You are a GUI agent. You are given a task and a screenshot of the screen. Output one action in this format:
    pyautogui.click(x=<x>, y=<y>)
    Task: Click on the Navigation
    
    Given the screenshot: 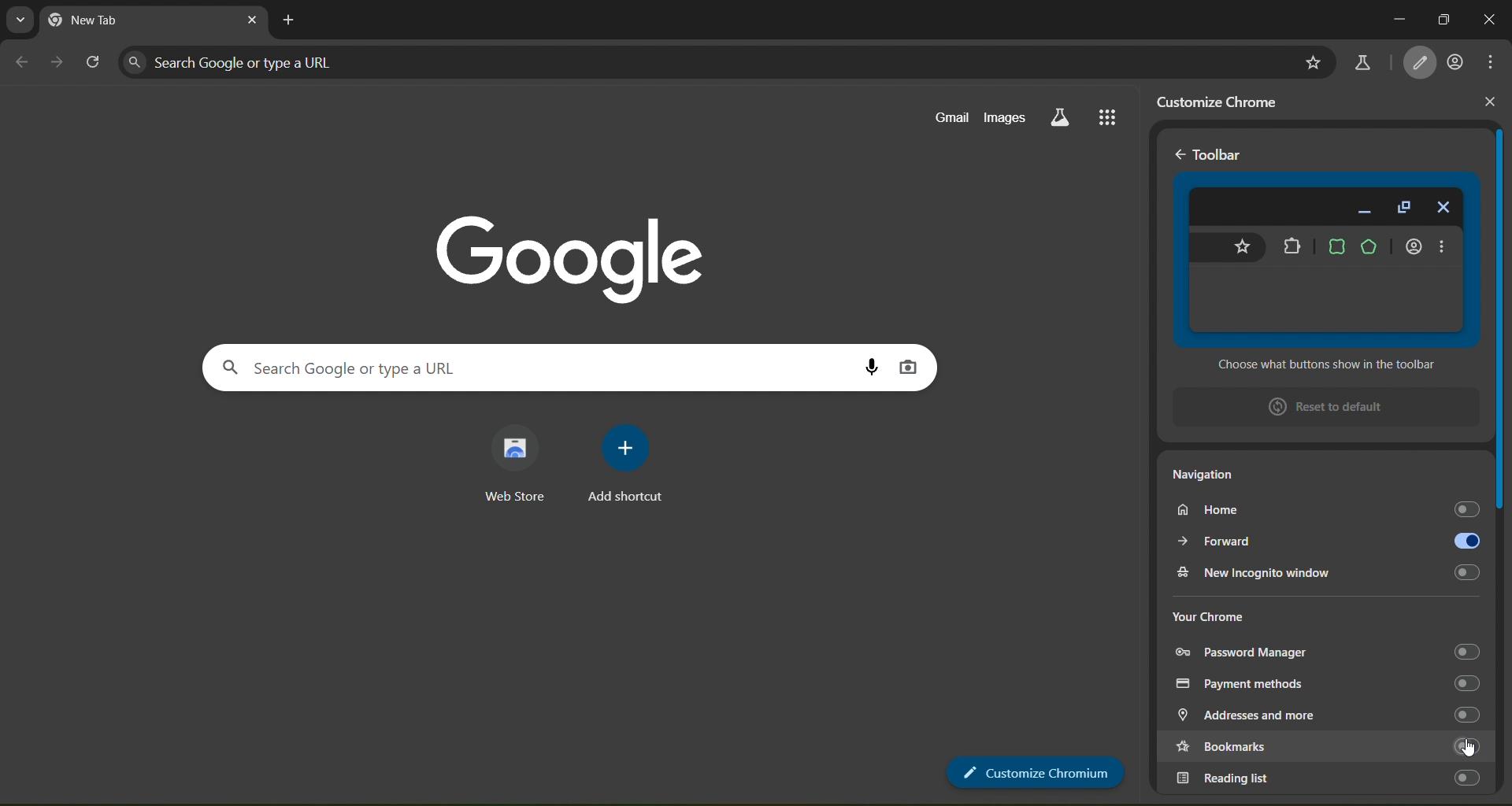 What is the action you would take?
    pyautogui.click(x=1210, y=477)
    